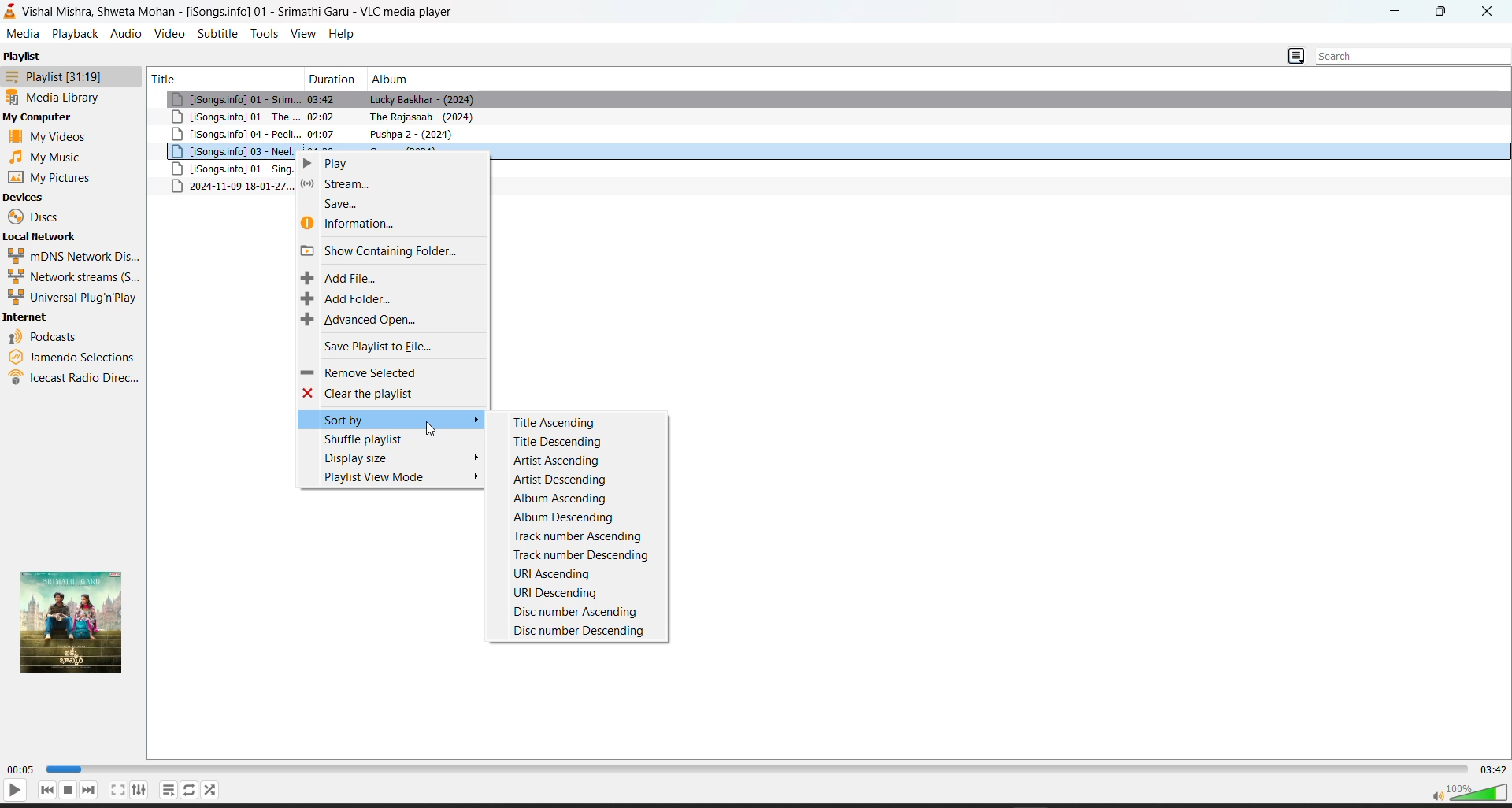 The image size is (1512, 808). I want to click on settings, so click(139, 790).